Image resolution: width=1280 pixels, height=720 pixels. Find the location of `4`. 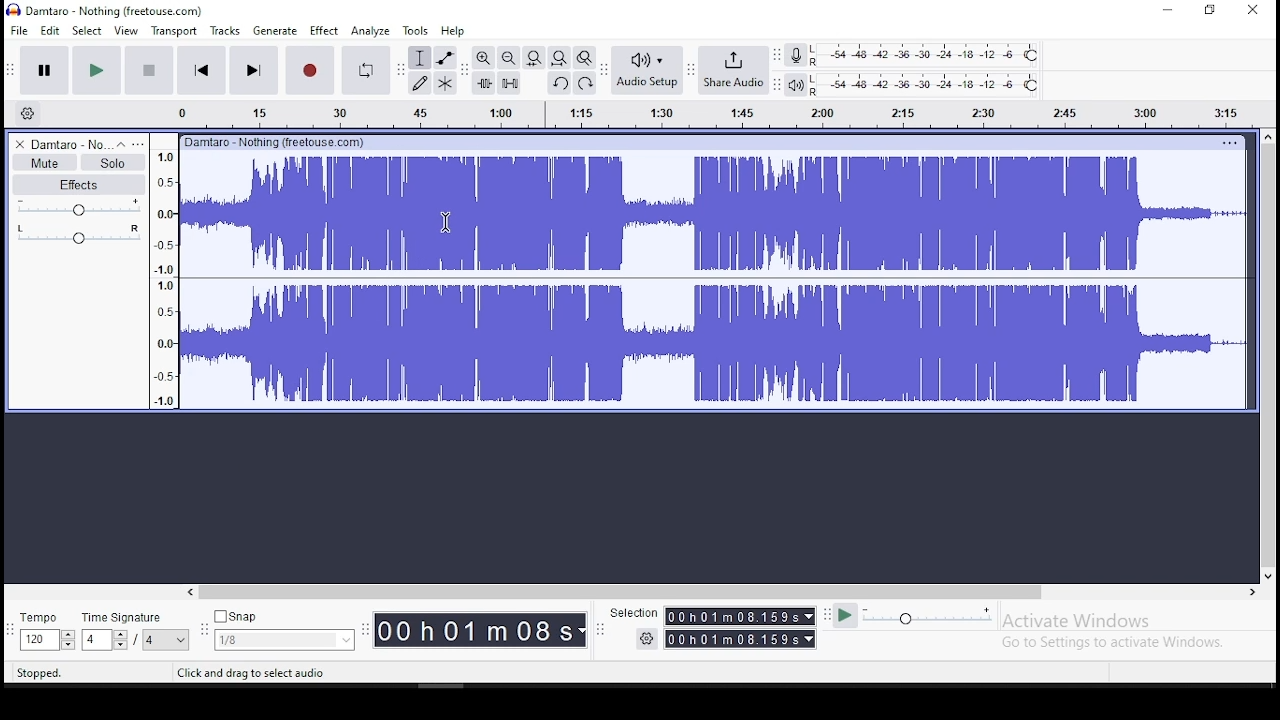

4 is located at coordinates (95, 640).